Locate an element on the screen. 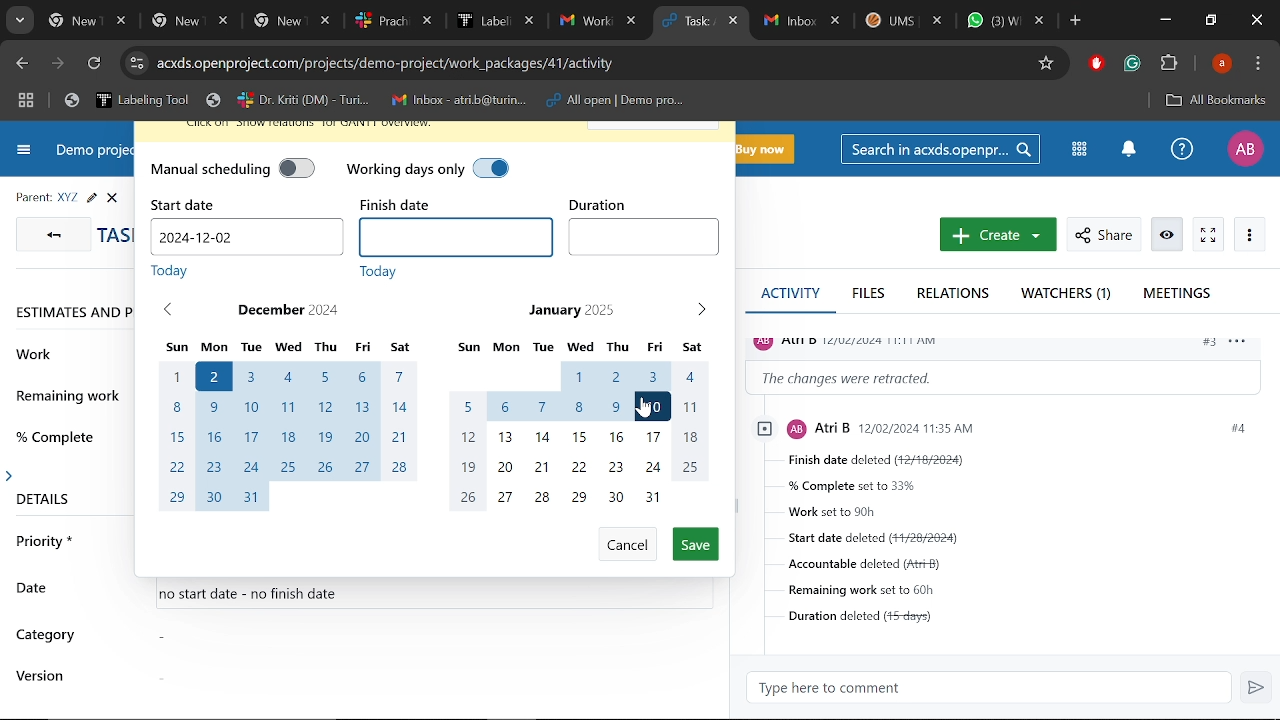 The height and width of the screenshot is (720, 1280). Duration is located at coordinates (644, 237).